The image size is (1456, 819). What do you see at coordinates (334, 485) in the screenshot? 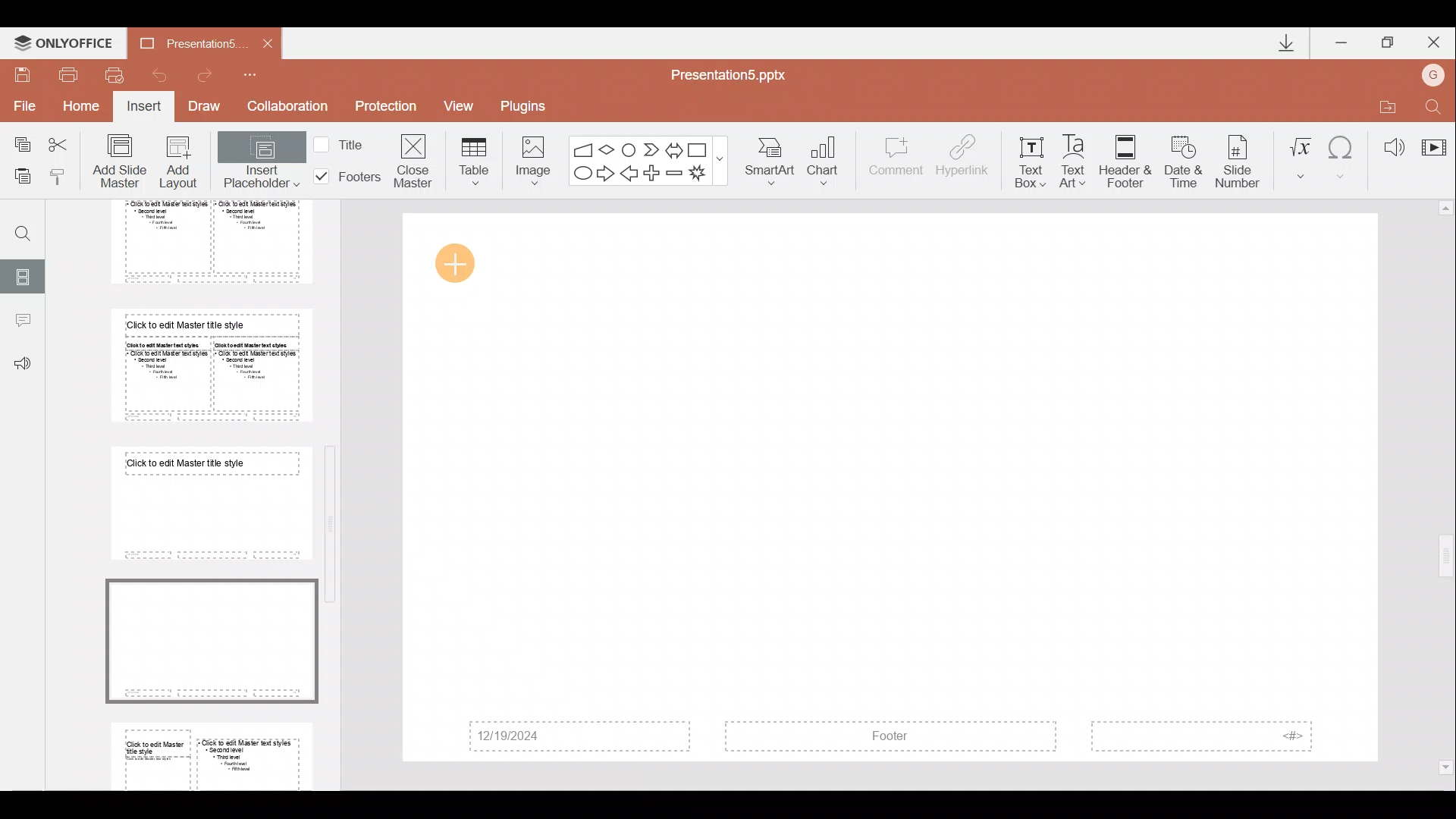
I see `Scroll bar` at bounding box center [334, 485].